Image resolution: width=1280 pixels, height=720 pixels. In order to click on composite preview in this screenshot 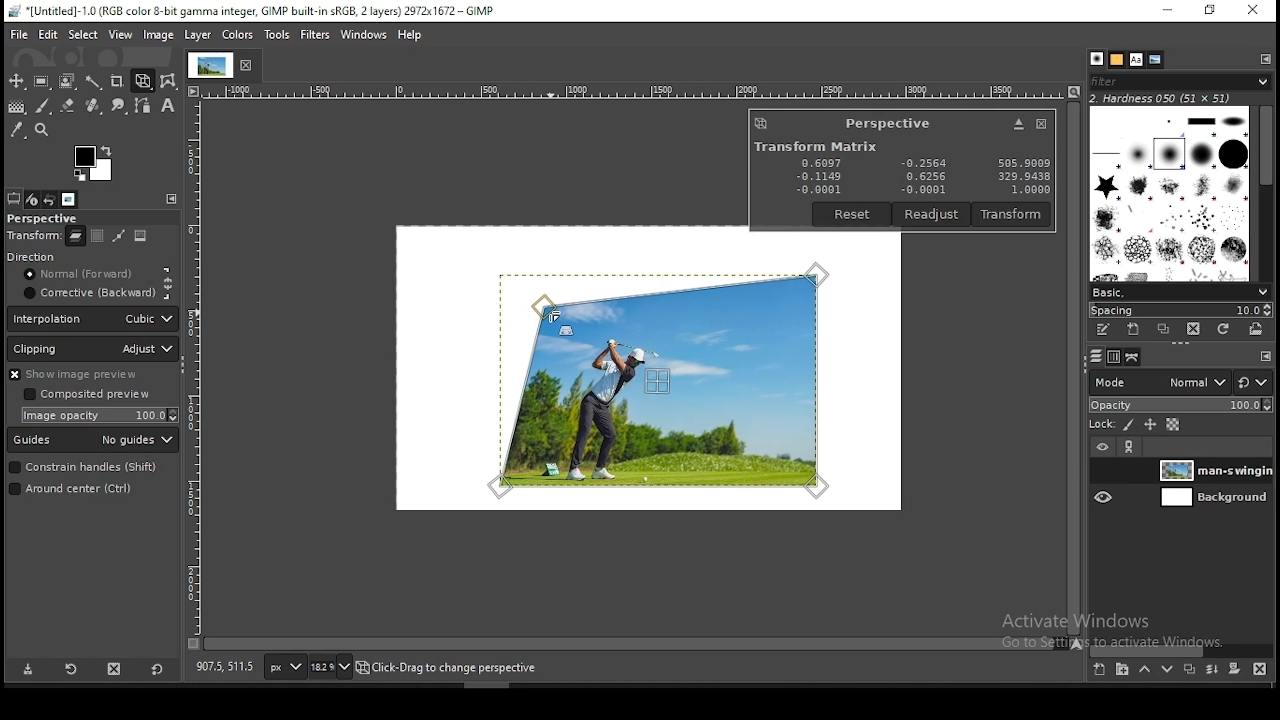, I will do `click(90, 395)`.